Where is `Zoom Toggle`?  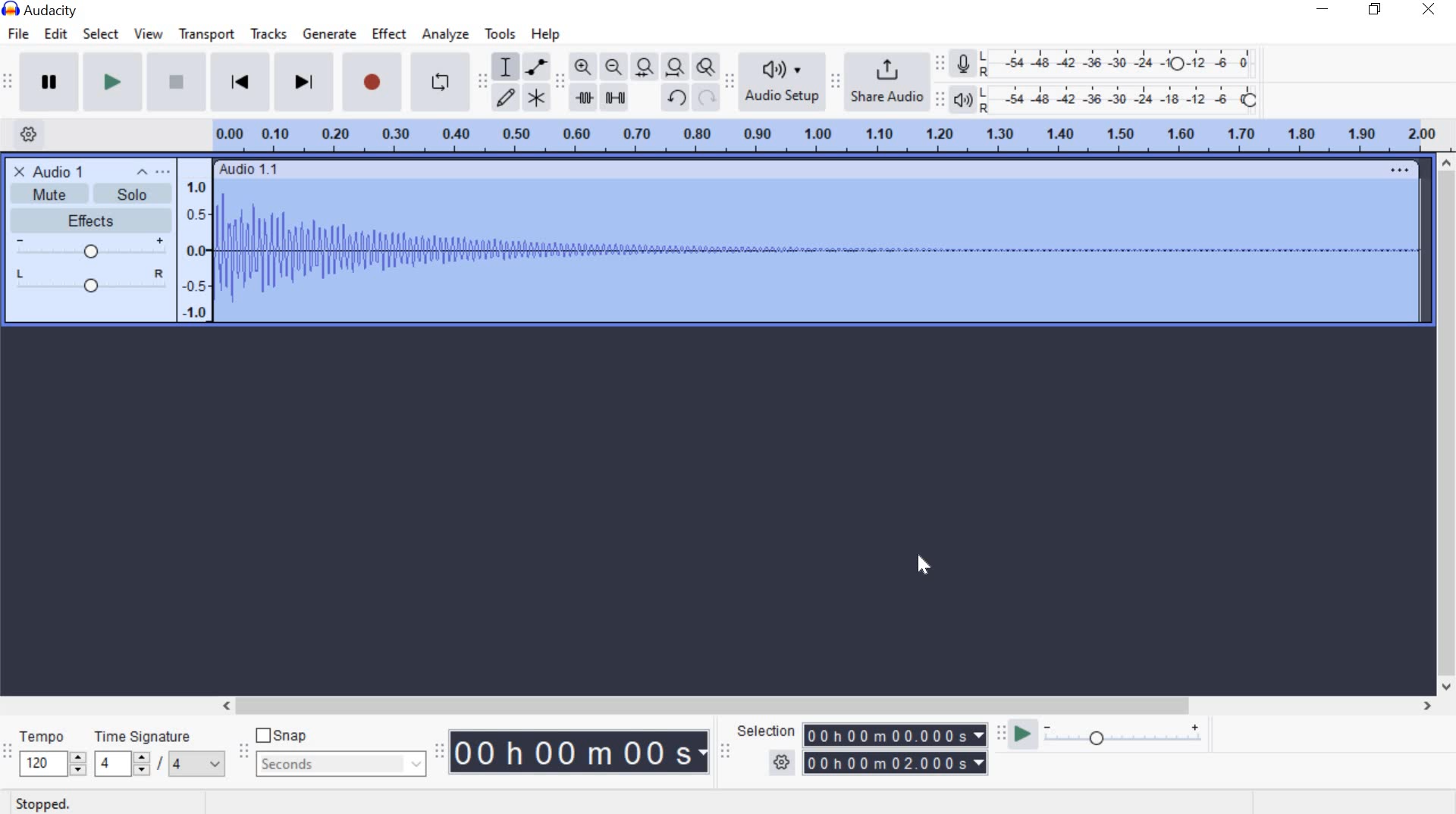 Zoom Toggle is located at coordinates (704, 66).